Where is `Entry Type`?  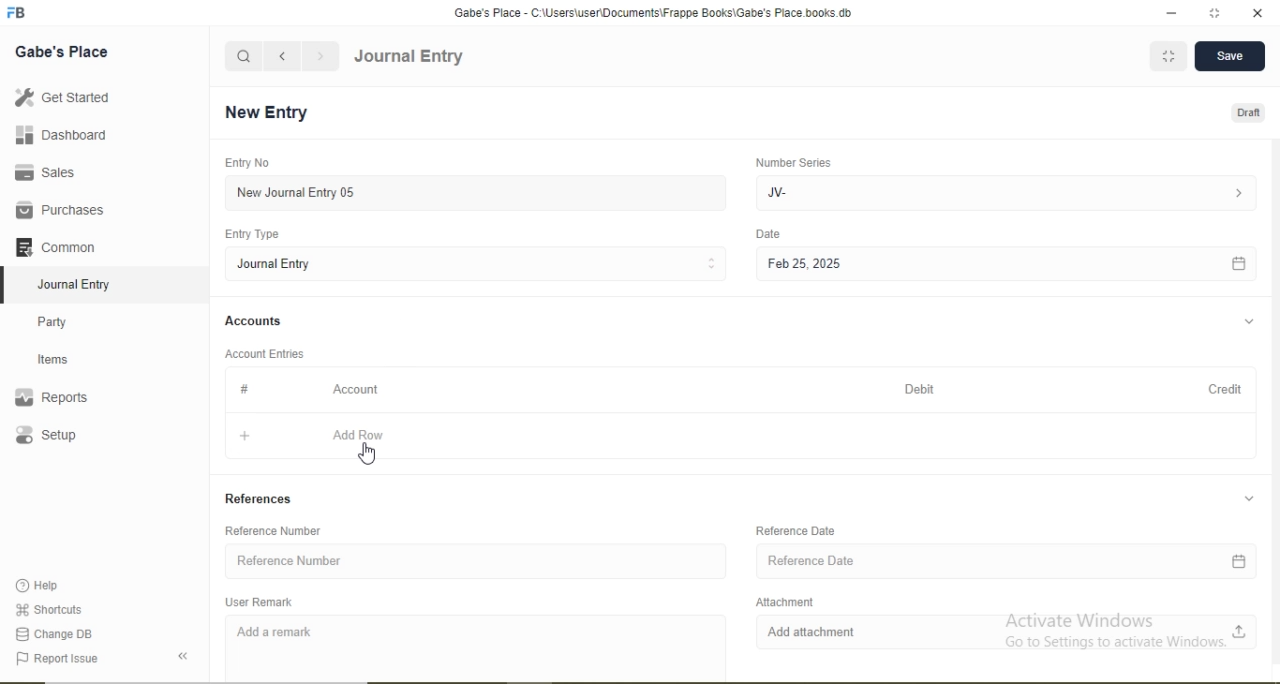
Entry Type is located at coordinates (254, 234).